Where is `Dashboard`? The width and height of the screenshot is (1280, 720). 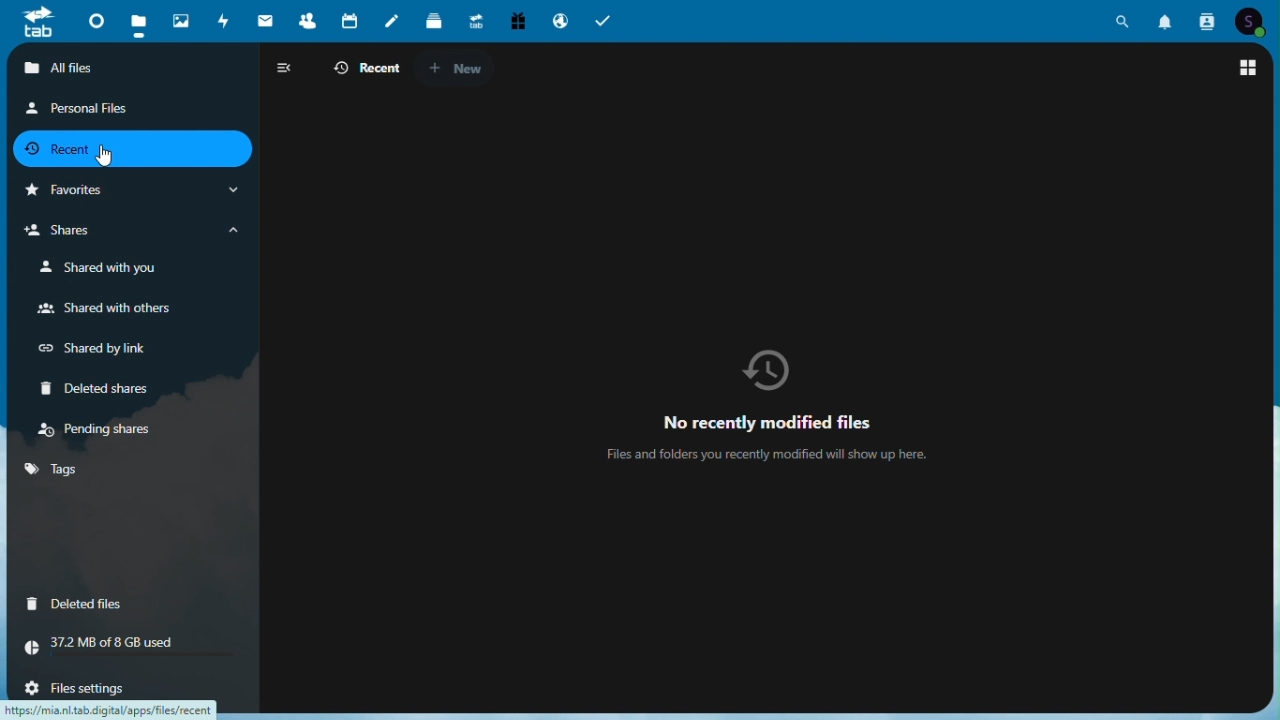 Dashboard is located at coordinates (94, 19).